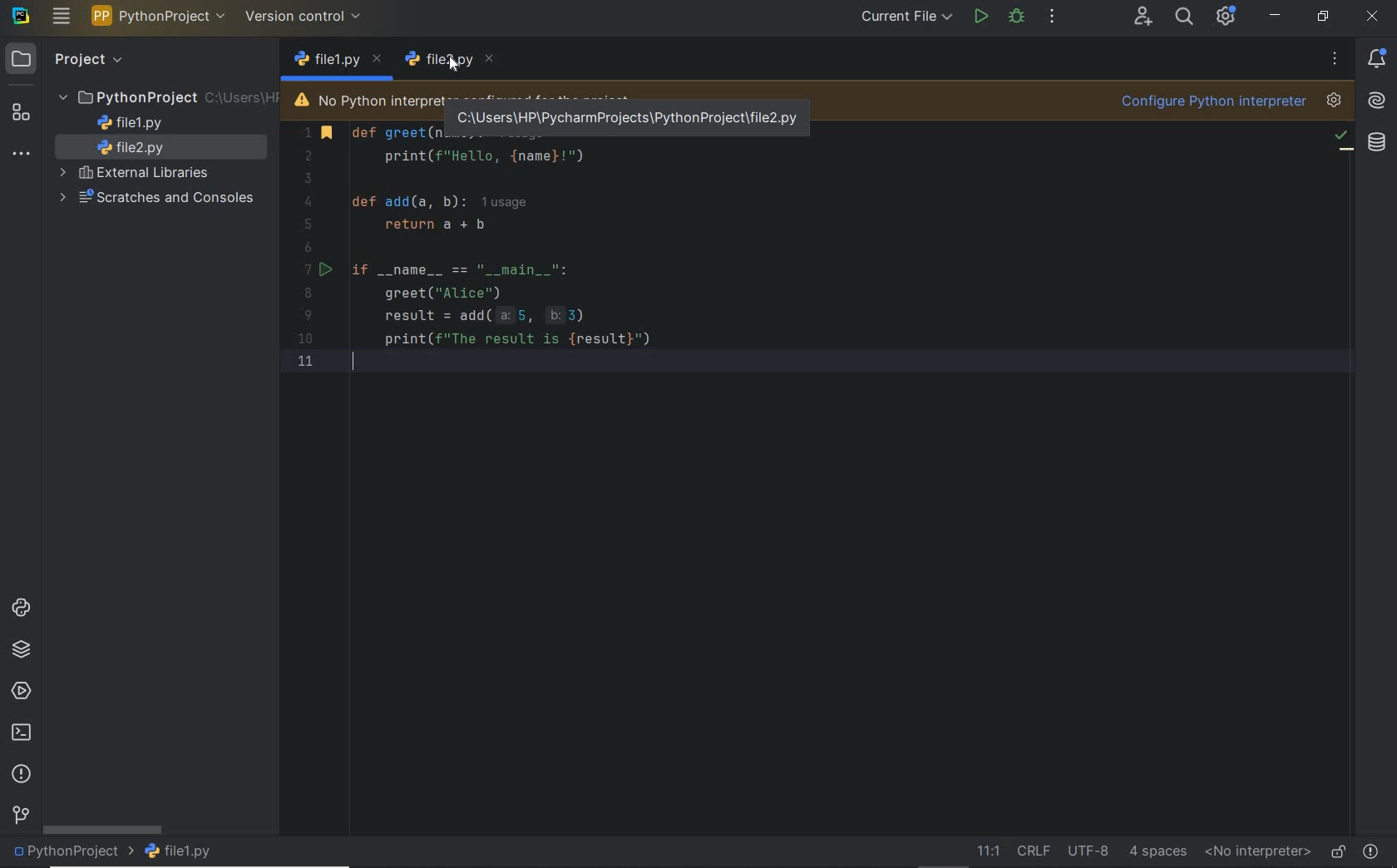  Describe the element at coordinates (1371, 16) in the screenshot. I see `close` at that location.